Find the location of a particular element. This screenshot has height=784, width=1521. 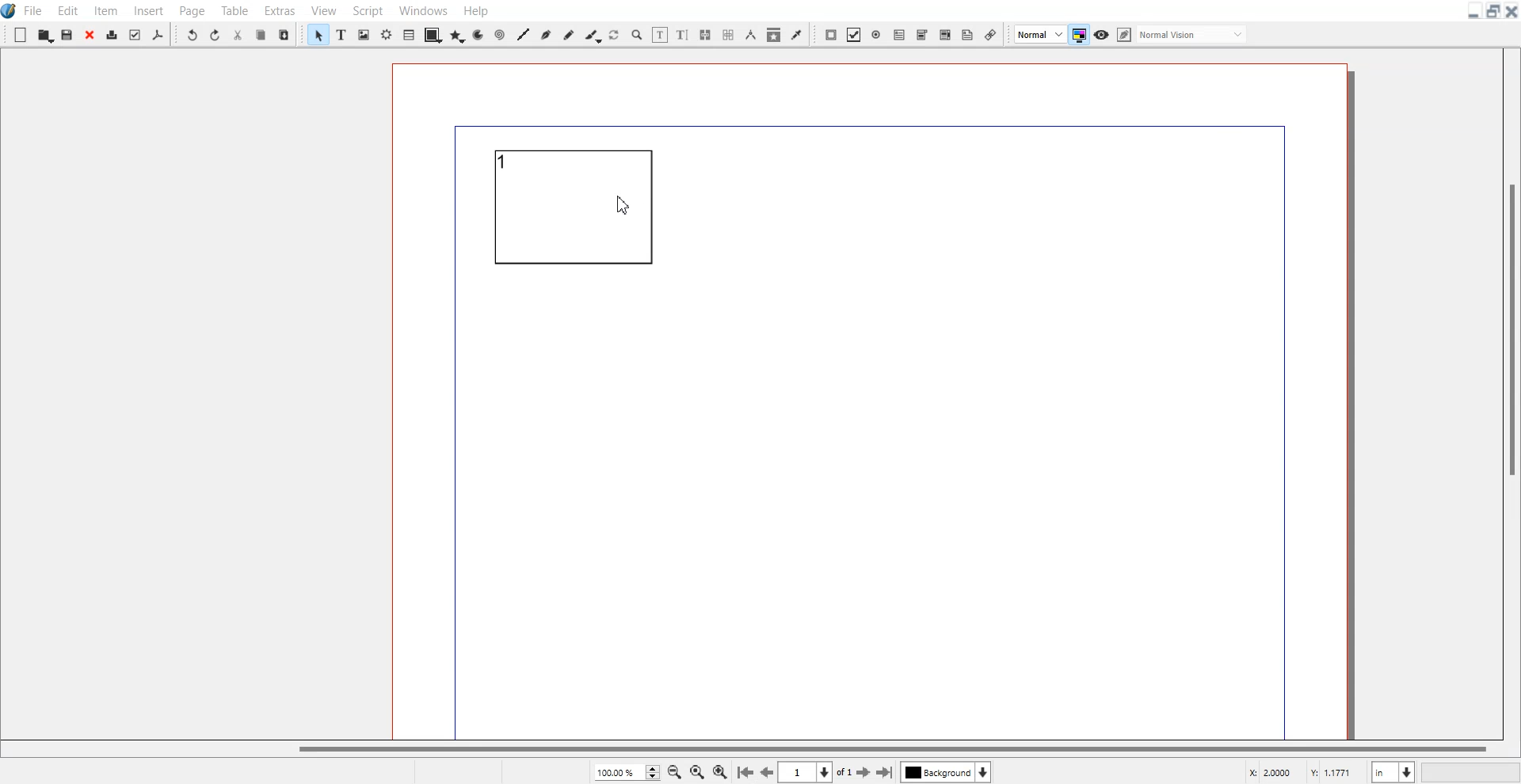

Shape is located at coordinates (433, 34).